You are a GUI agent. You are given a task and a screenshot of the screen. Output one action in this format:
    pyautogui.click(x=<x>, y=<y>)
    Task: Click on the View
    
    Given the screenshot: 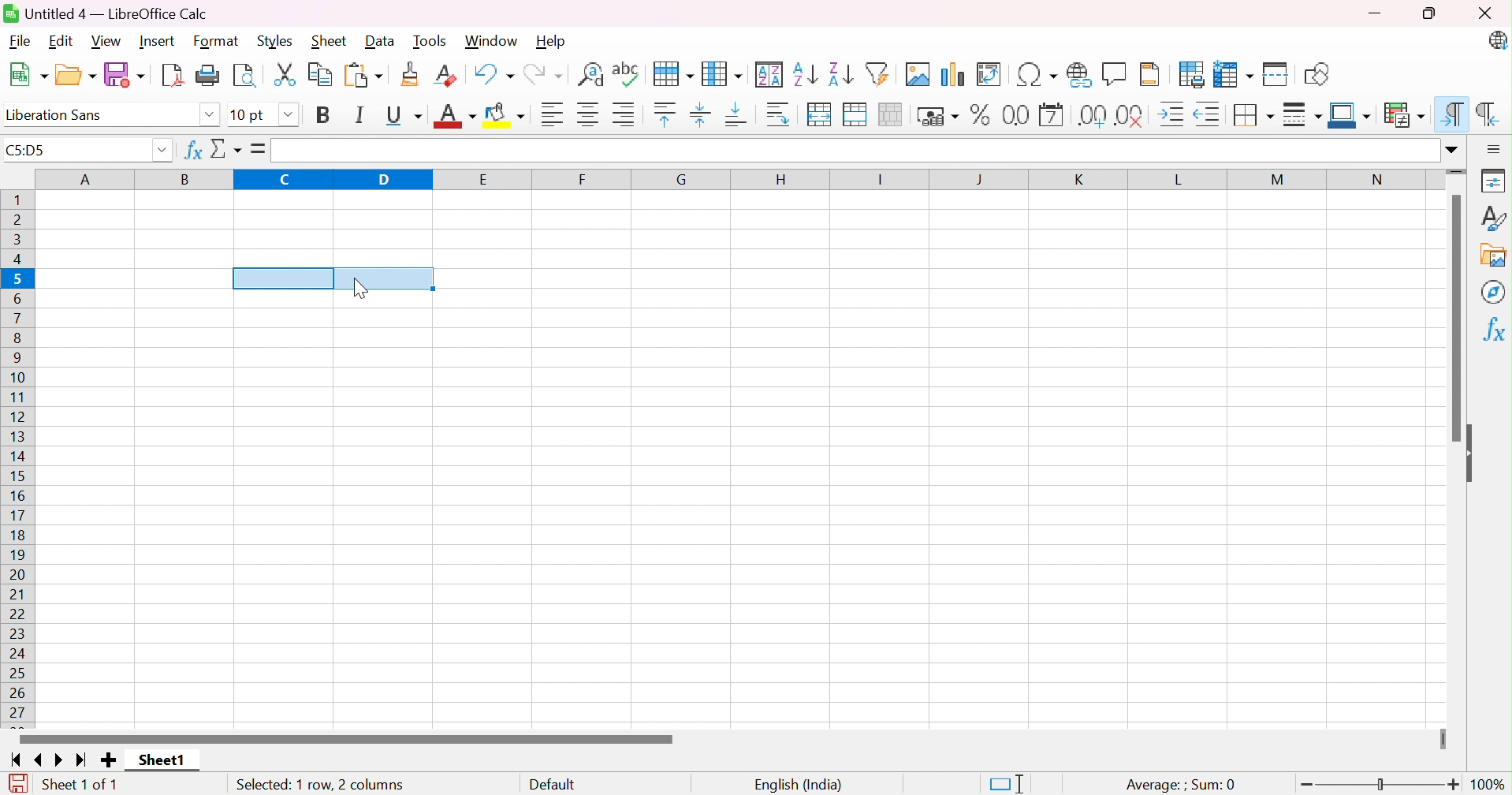 What is the action you would take?
    pyautogui.click(x=110, y=41)
    